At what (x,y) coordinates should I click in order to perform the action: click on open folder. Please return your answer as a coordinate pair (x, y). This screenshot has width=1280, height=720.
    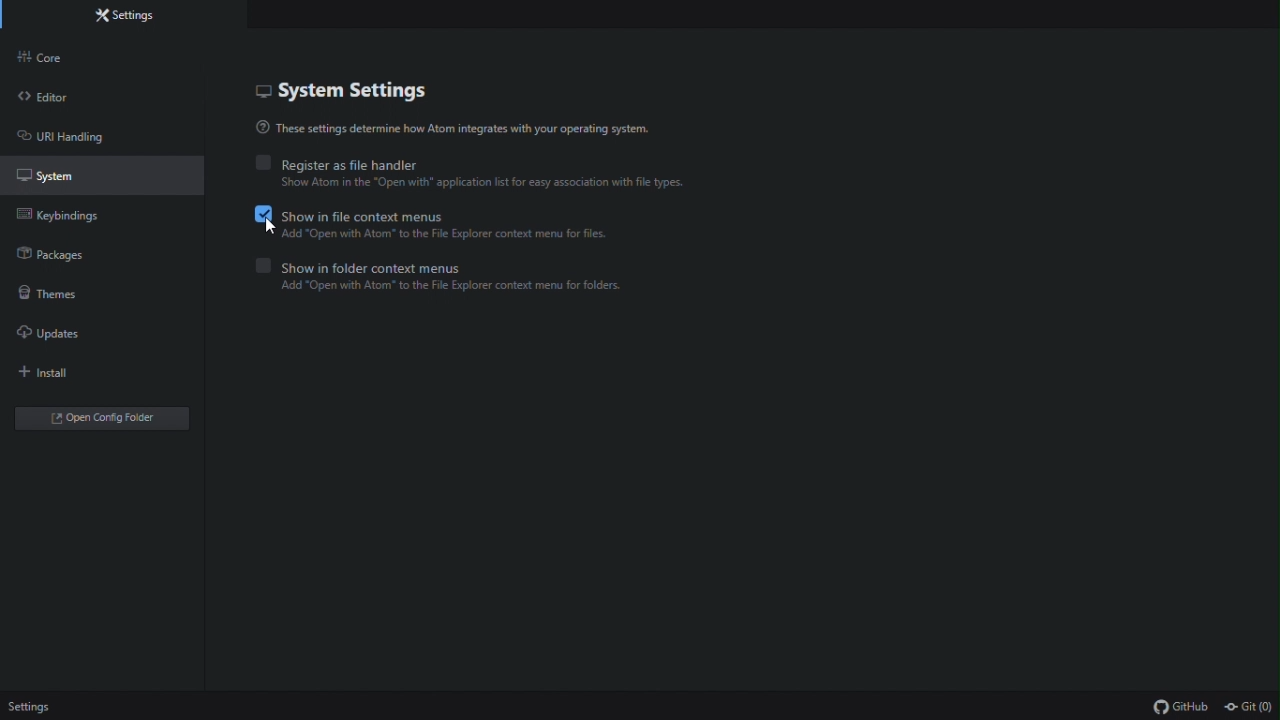
    Looking at the image, I should click on (105, 418).